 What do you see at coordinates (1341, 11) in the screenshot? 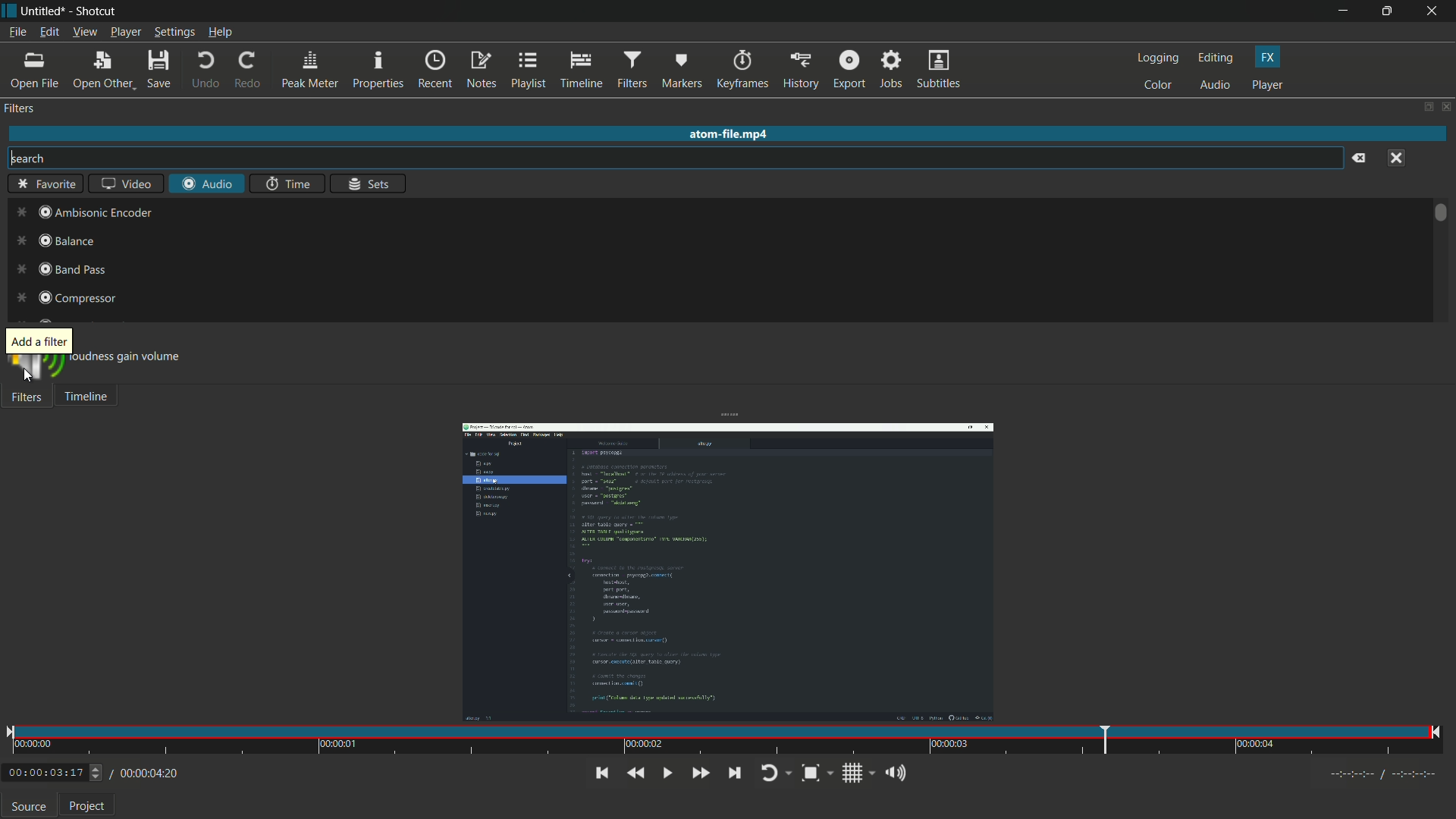
I see `minimize` at bounding box center [1341, 11].